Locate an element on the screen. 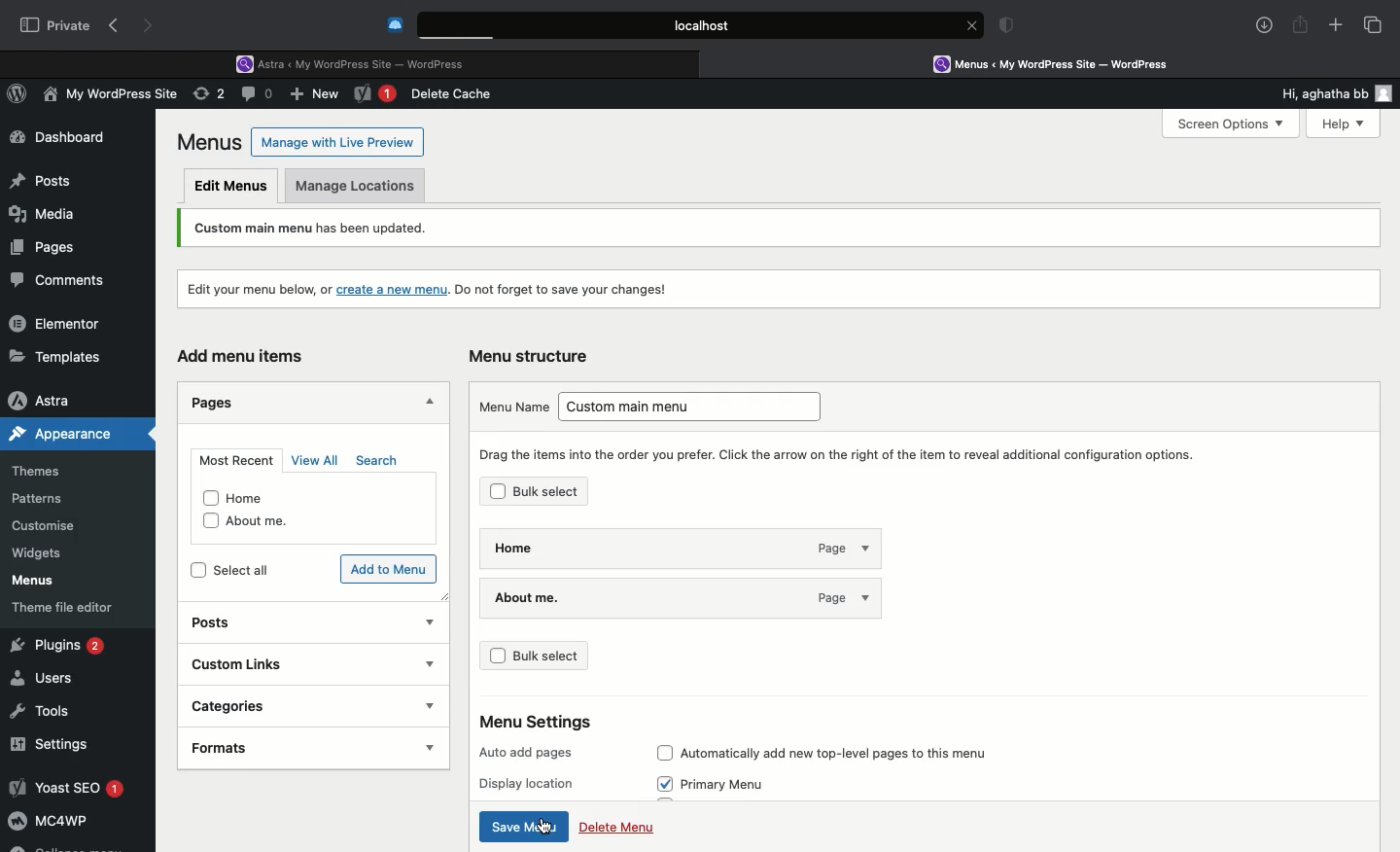 Image resolution: width=1400 pixels, height=852 pixels. page is located at coordinates (836, 597).